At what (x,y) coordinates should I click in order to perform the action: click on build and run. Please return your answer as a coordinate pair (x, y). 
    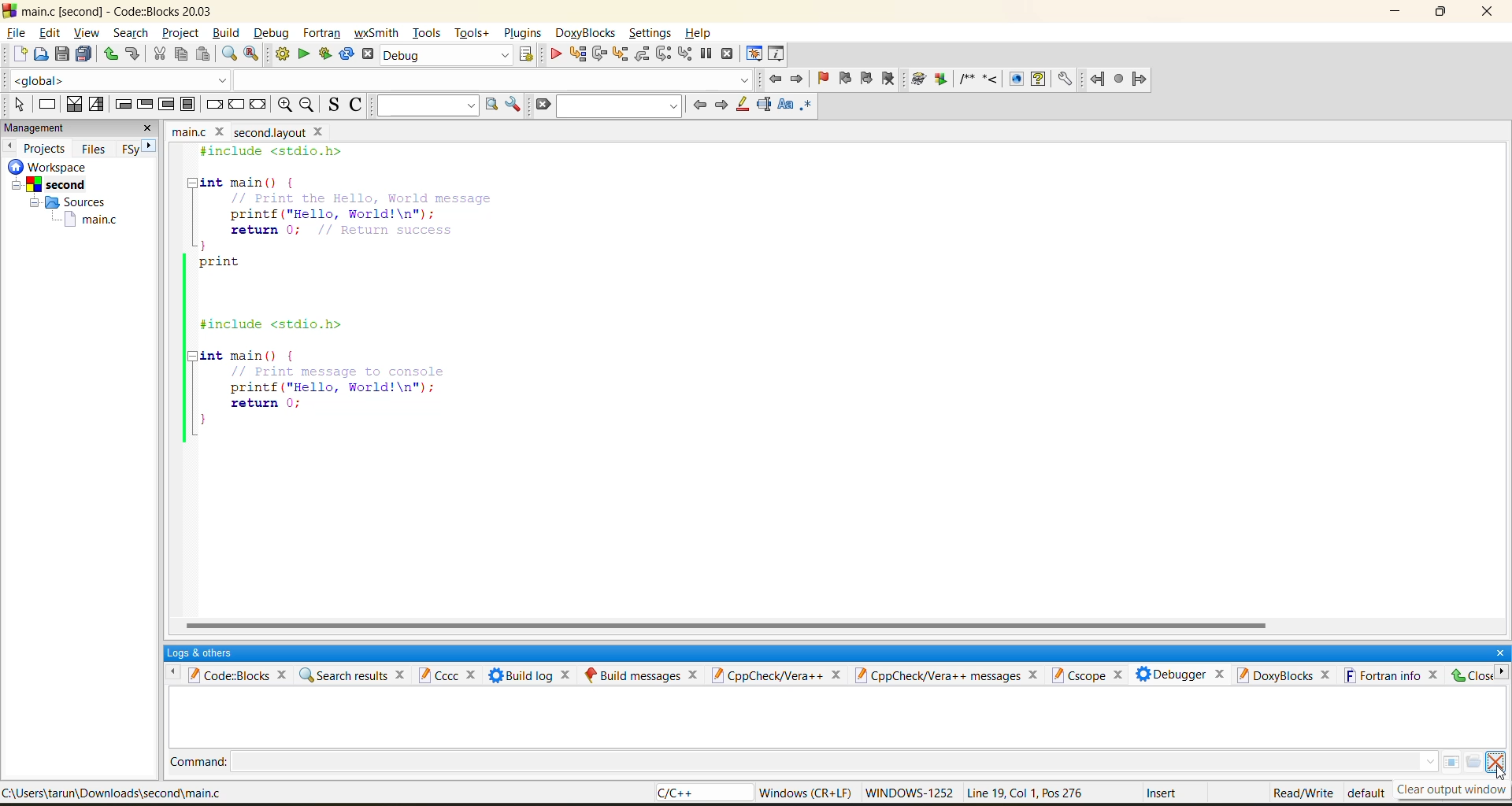
    Looking at the image, I should click on (324, 53).